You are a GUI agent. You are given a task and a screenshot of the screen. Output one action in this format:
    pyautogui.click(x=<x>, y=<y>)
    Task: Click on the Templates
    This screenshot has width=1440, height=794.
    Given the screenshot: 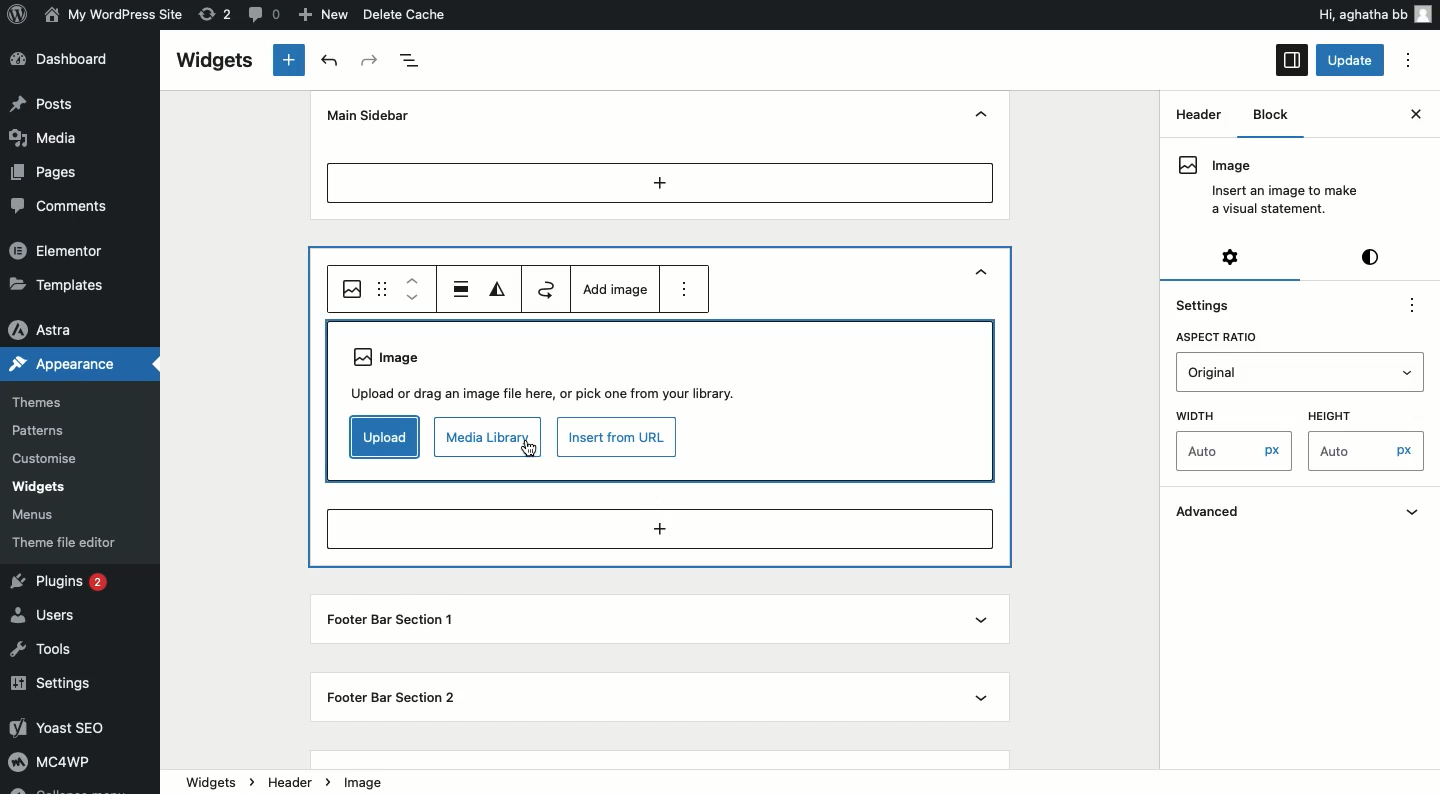 What is the action you would take?
    pyautogui.click(x=60, y=283)
    